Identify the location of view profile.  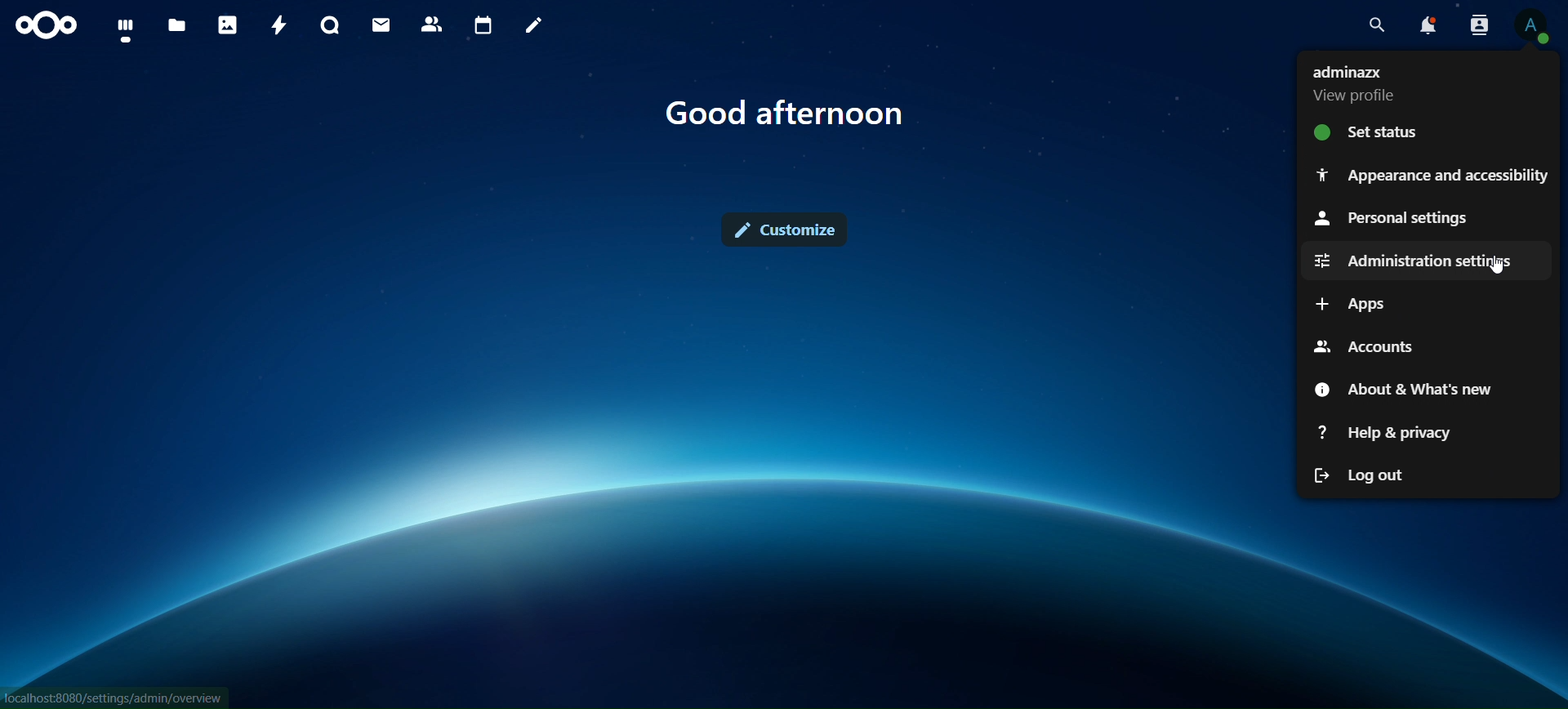
(1535, 29).